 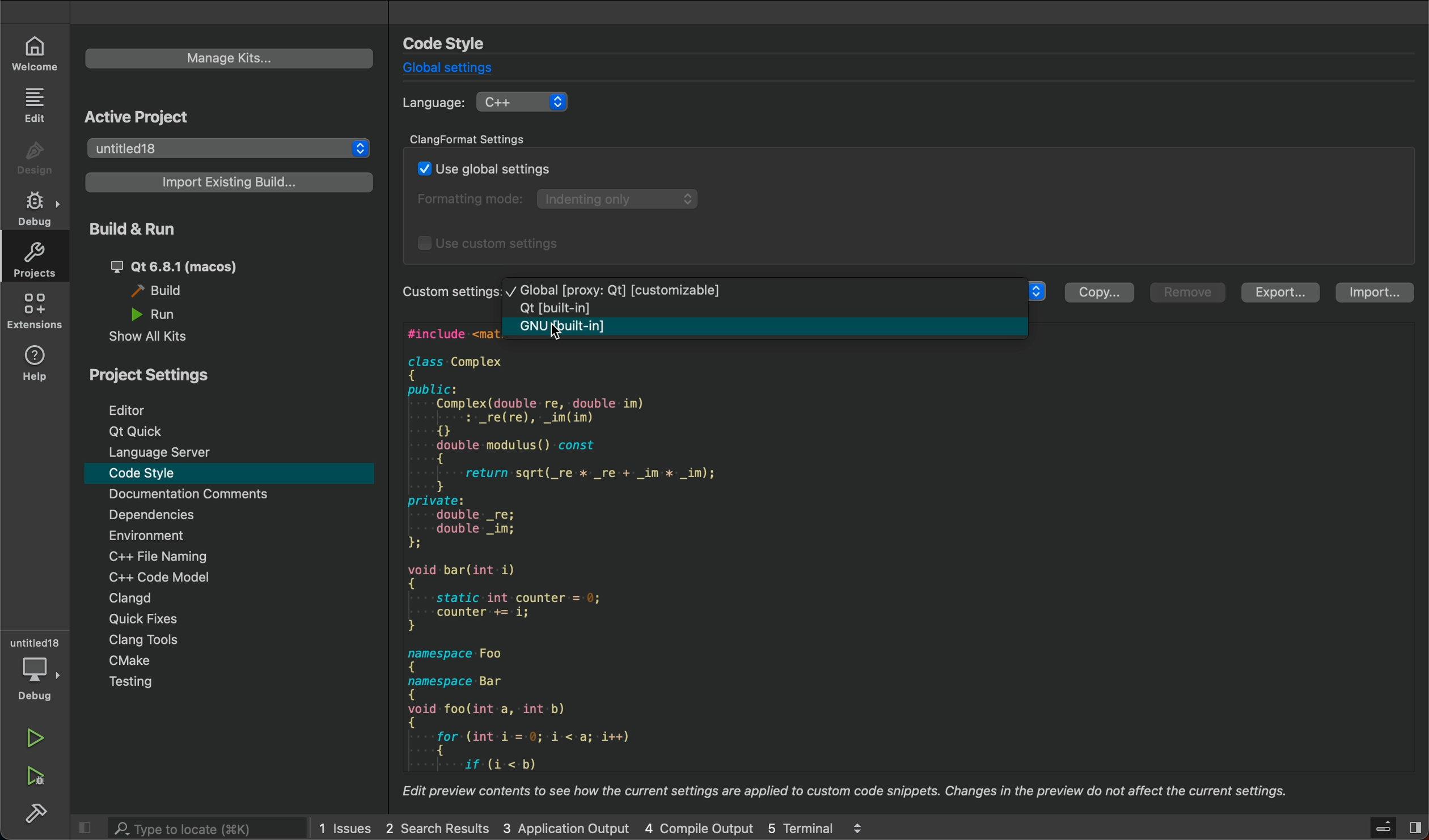 I want to click on build, so click(x=34, y=813).